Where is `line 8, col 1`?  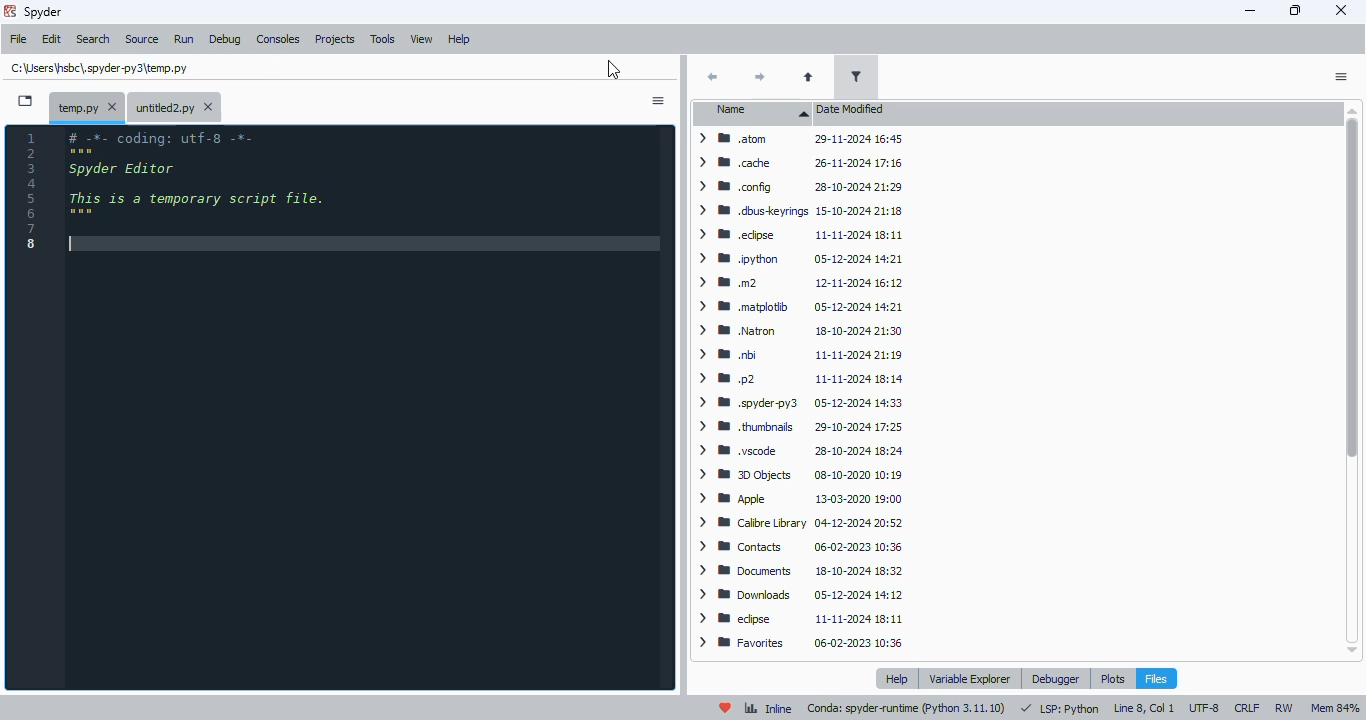
line 8, col 1 is located at coordinates (1145, 708).